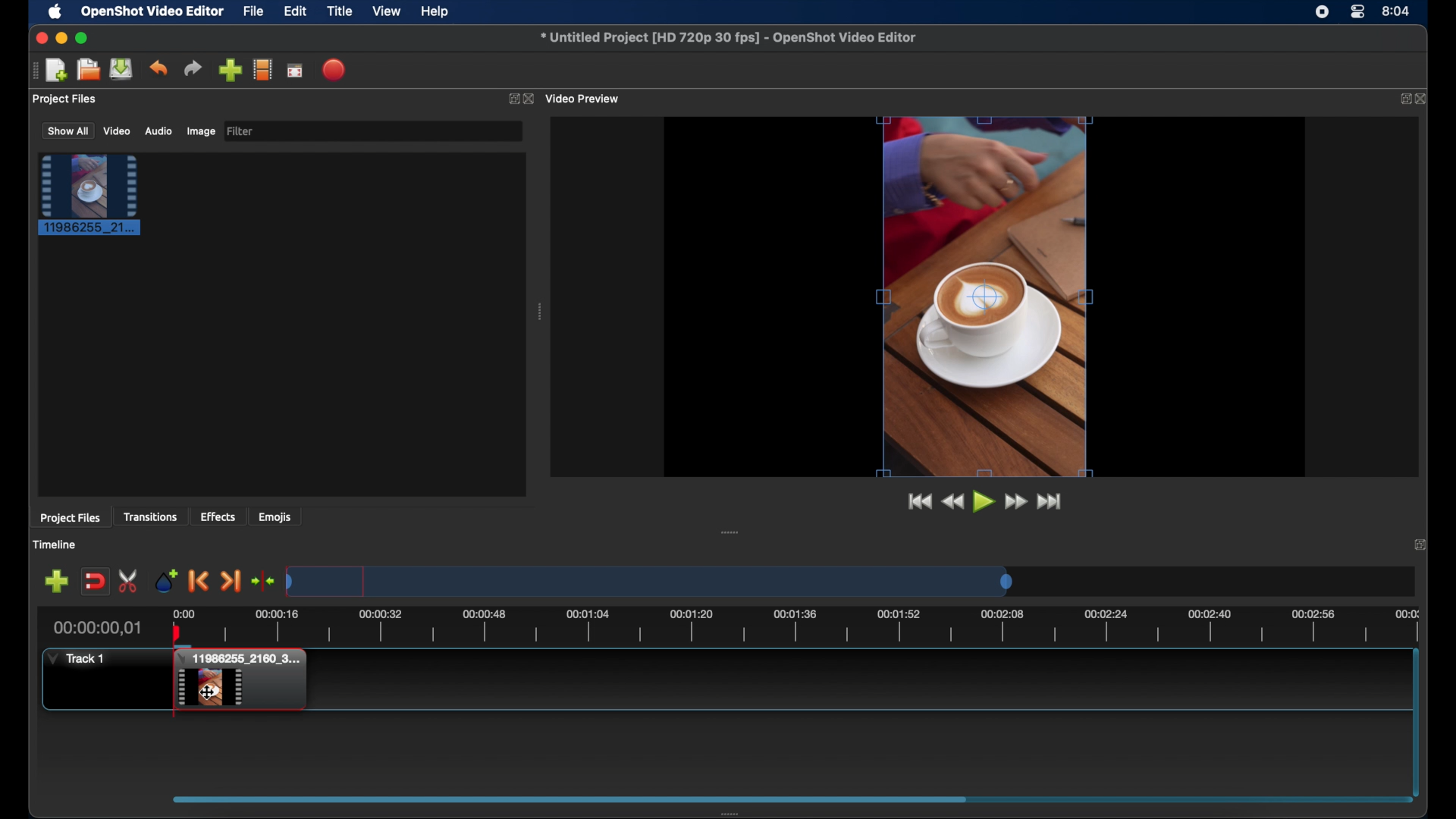 The width and height of the screenshot is (1456, 819). Describe the element at coordinates (739, 811) in the screenshot. I see `drag handle` at that location.